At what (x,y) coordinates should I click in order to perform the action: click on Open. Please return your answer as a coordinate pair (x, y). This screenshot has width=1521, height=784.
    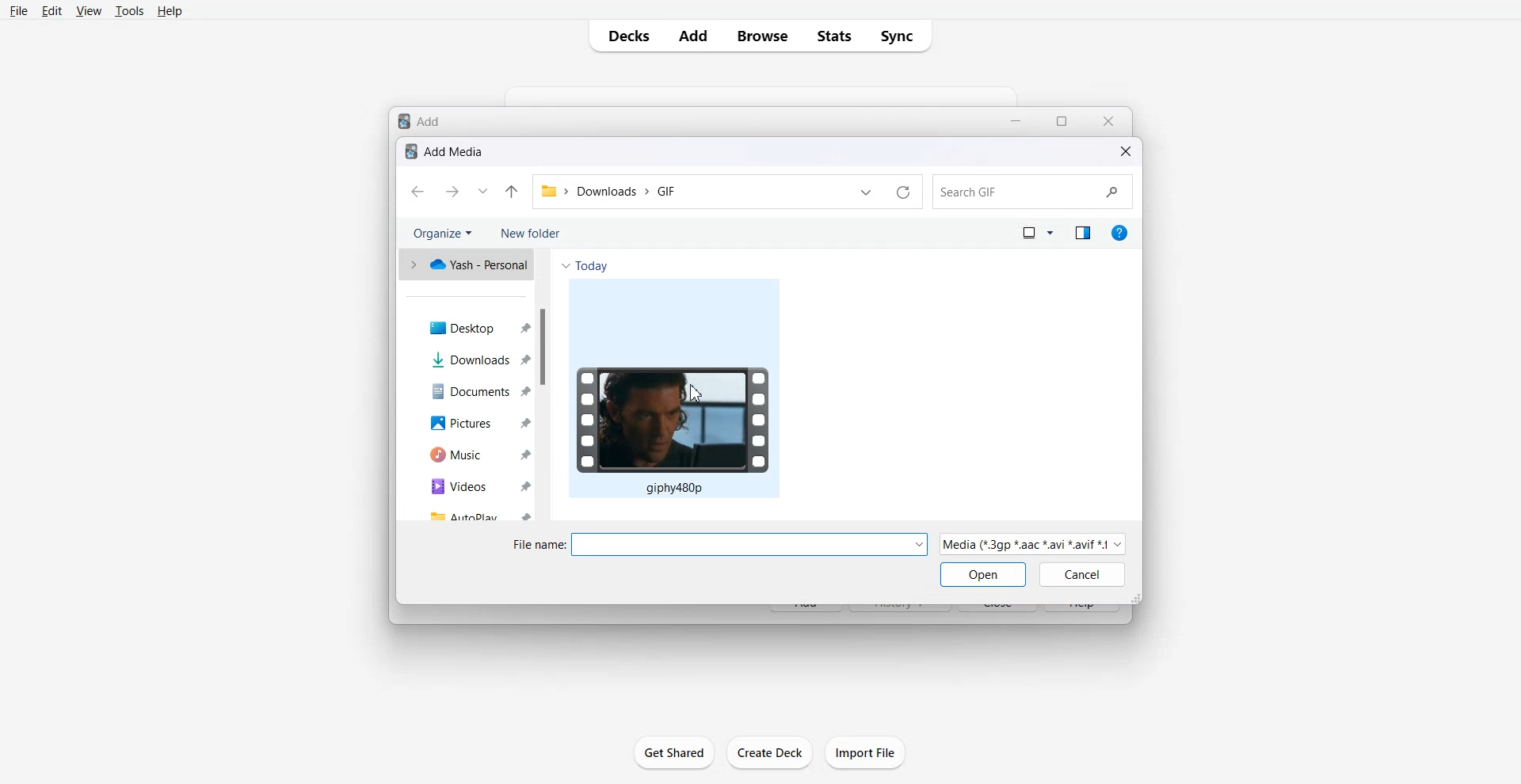
    Looking at the image, I should click on (982, 574).